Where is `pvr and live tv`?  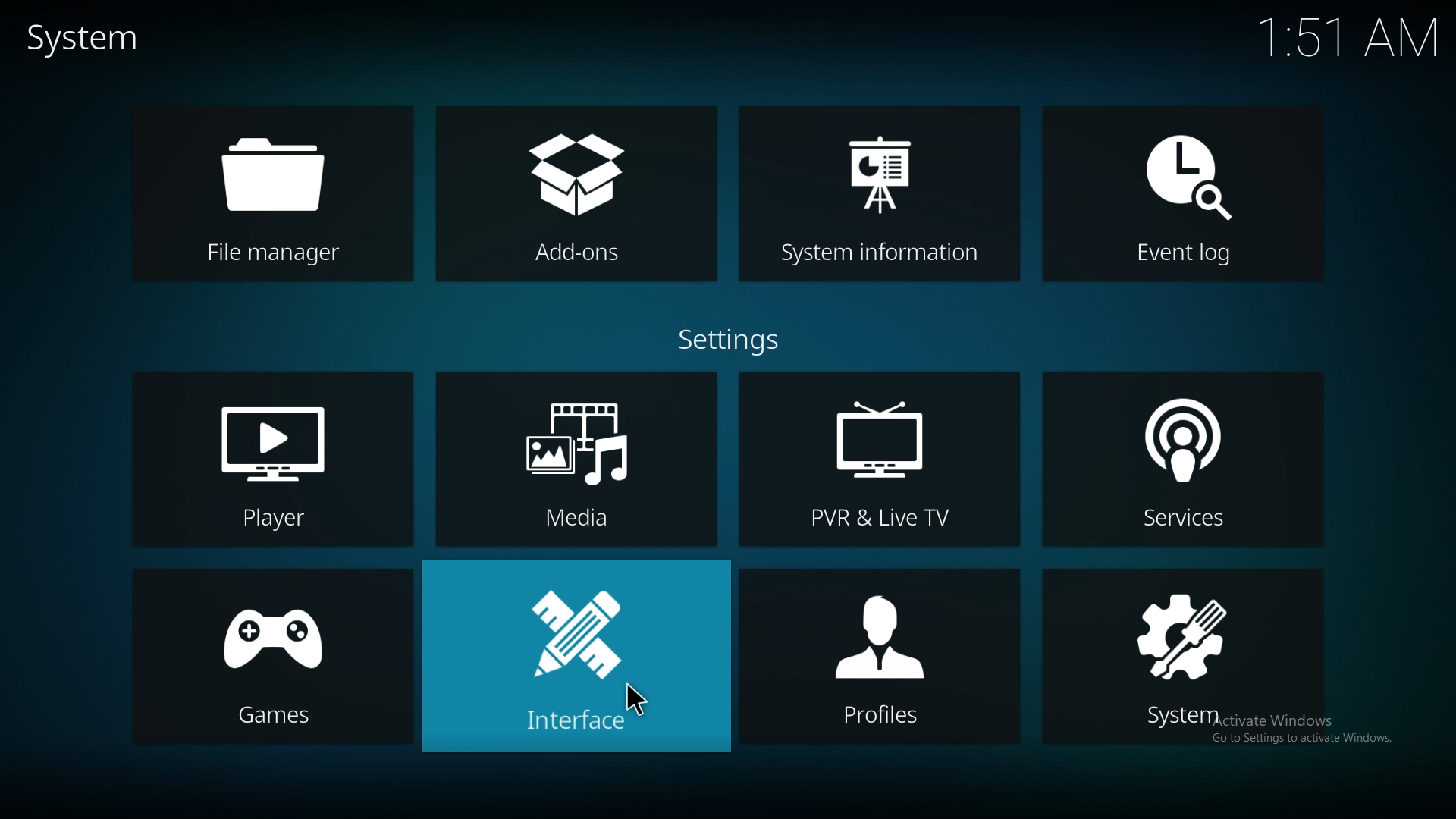
pvr and live tv is located at coordinates (880, 460).